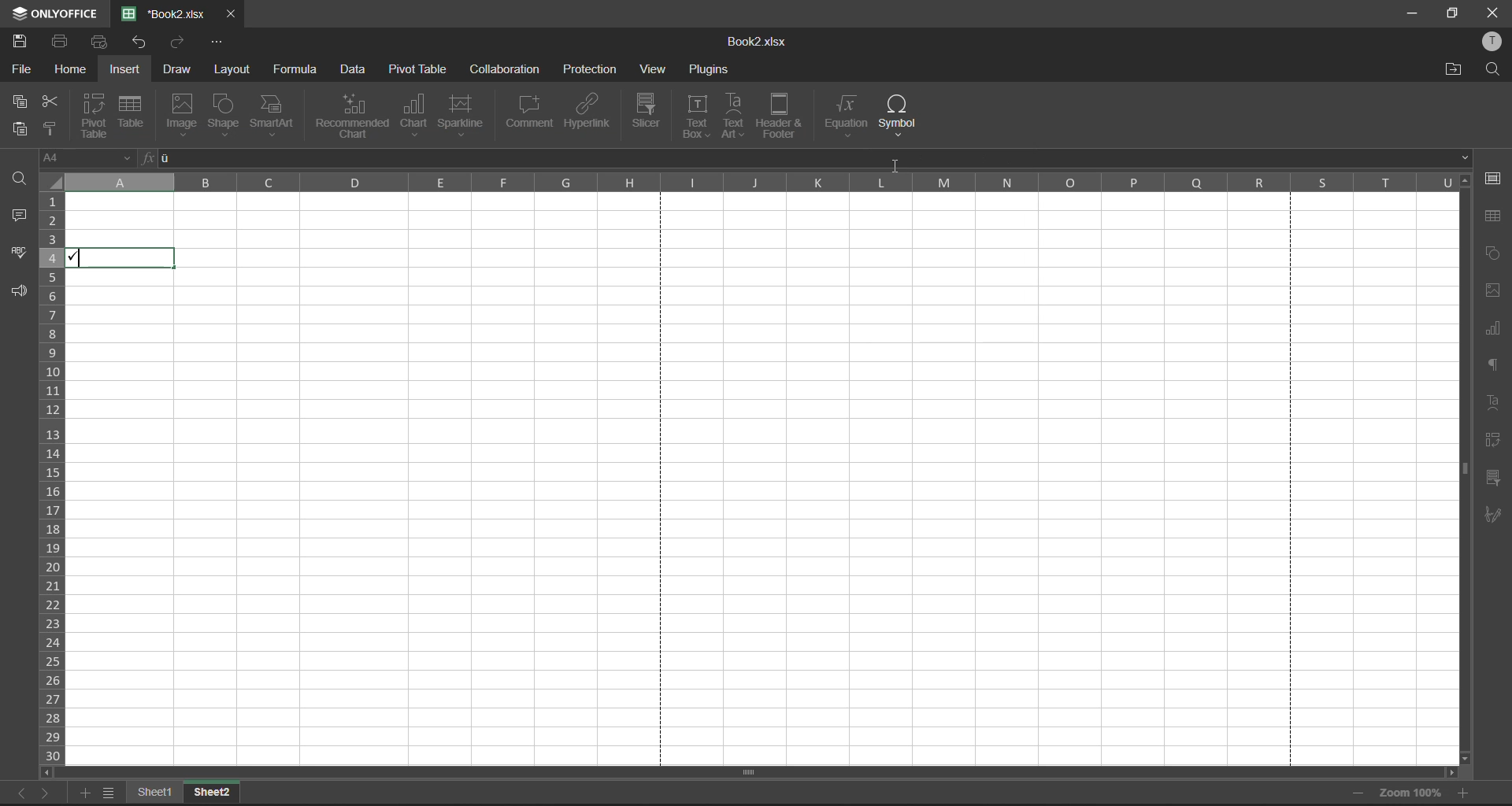 The image size is (1512, 806). I want to click on shapes, so click(1492, 253).